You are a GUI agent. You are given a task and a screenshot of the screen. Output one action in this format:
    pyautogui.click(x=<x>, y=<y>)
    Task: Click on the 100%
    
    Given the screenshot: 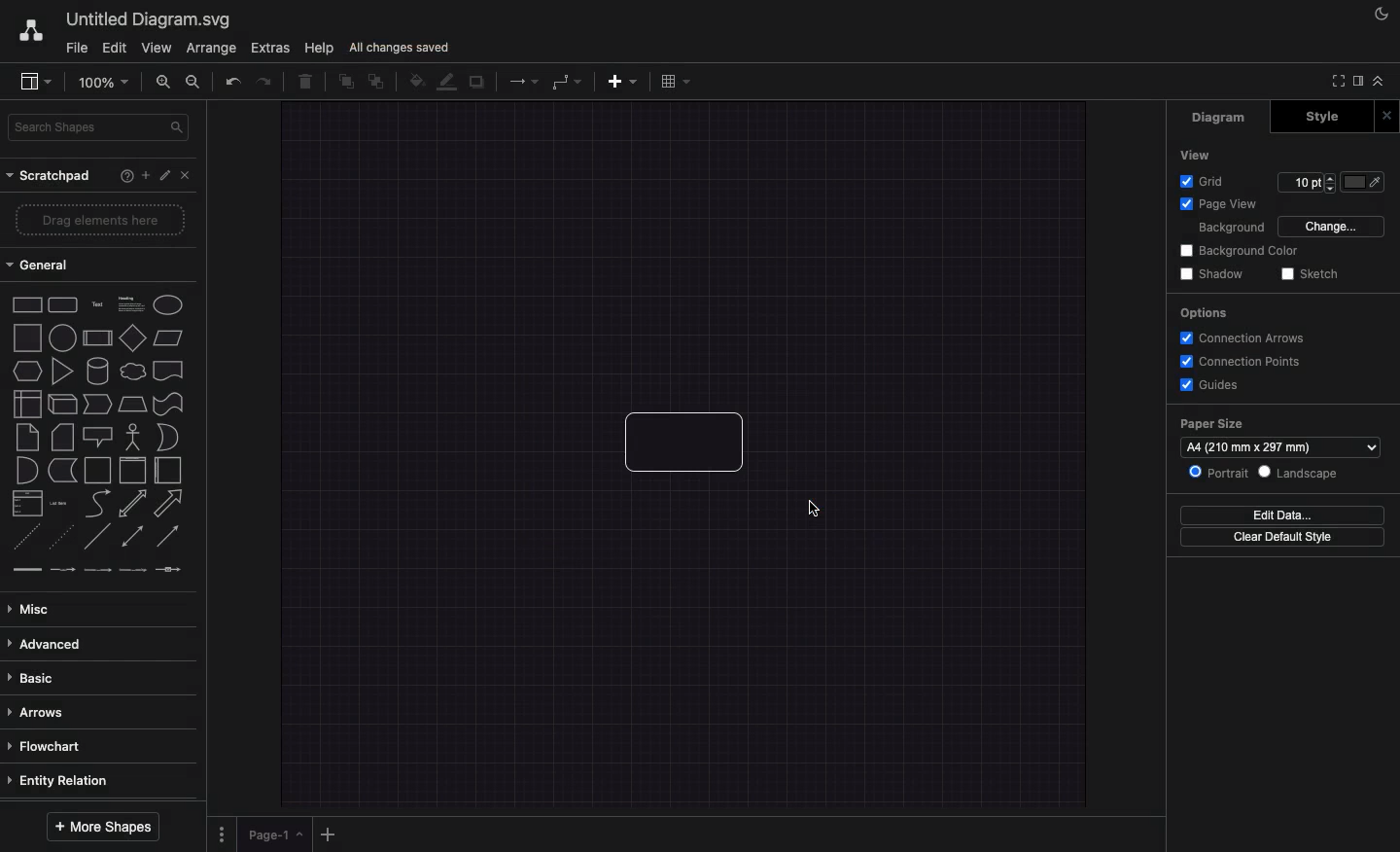 What is the action you would take?
    pyautogui.click(x=108, y=83)
    